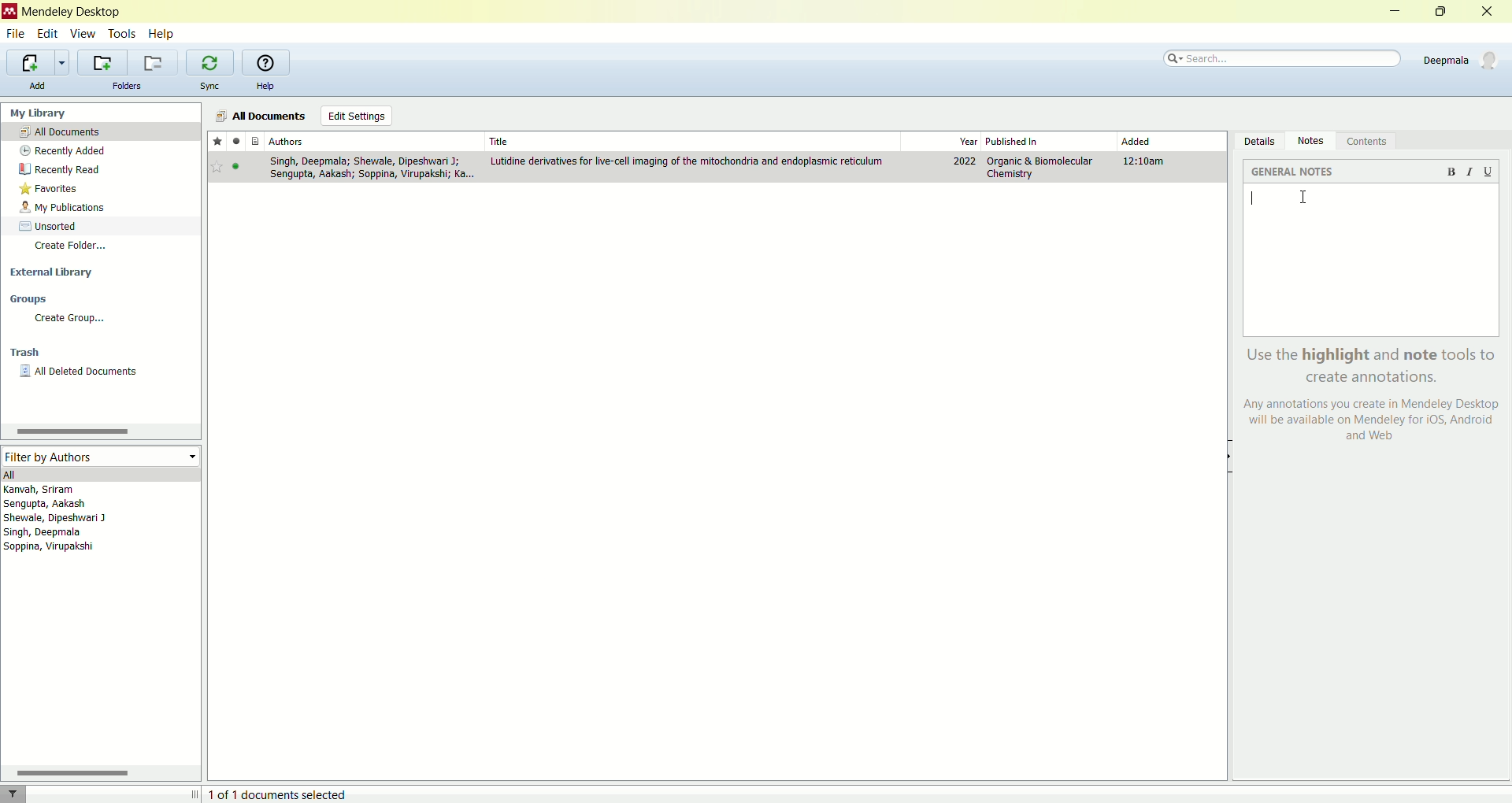 The height and width of the screenshot is (803, 1512). I want to click on close, so click(1488, 12).